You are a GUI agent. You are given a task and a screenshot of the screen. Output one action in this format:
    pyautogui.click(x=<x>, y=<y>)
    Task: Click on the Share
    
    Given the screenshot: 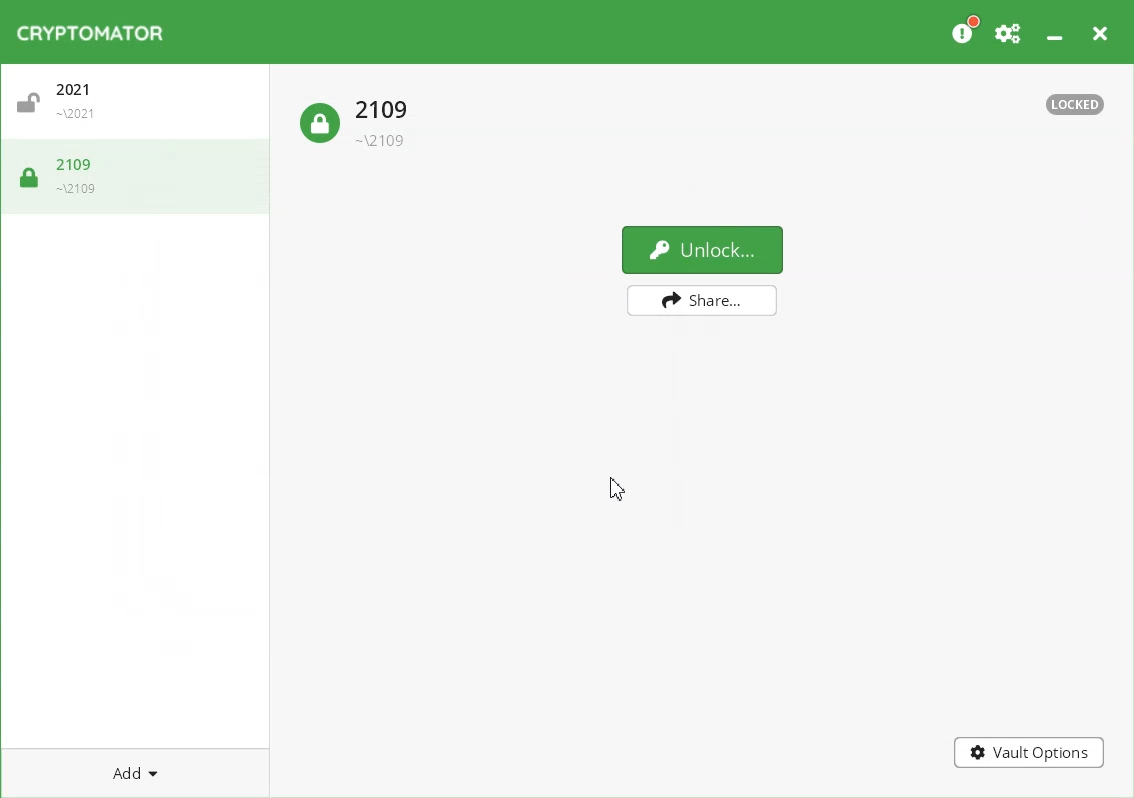 What is the action you would take?
    pyautogui.click(x=703, y=301)
    